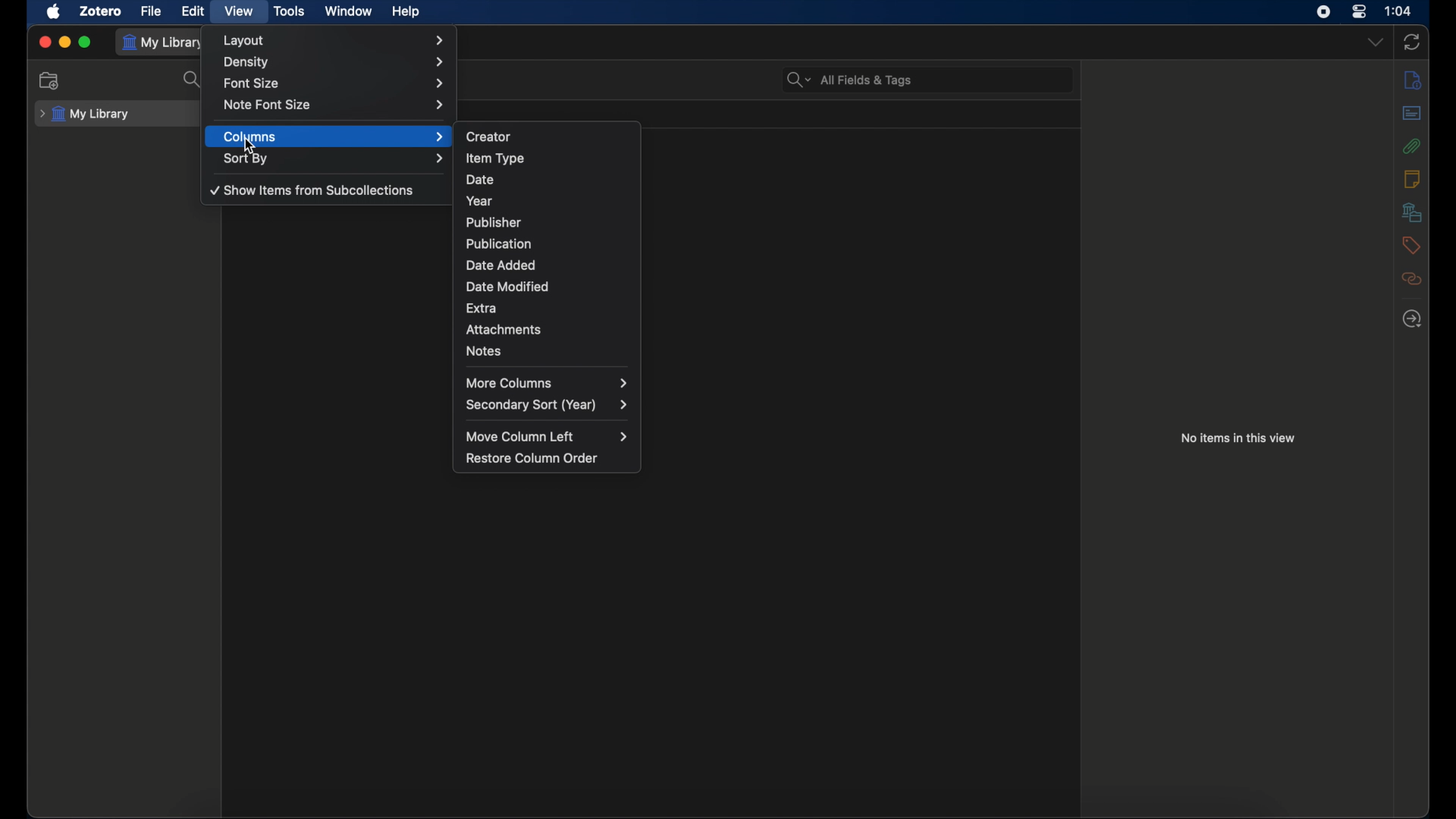  Describe the element at coordinates (238, 11) in the screenshot. I see `view` at that location.